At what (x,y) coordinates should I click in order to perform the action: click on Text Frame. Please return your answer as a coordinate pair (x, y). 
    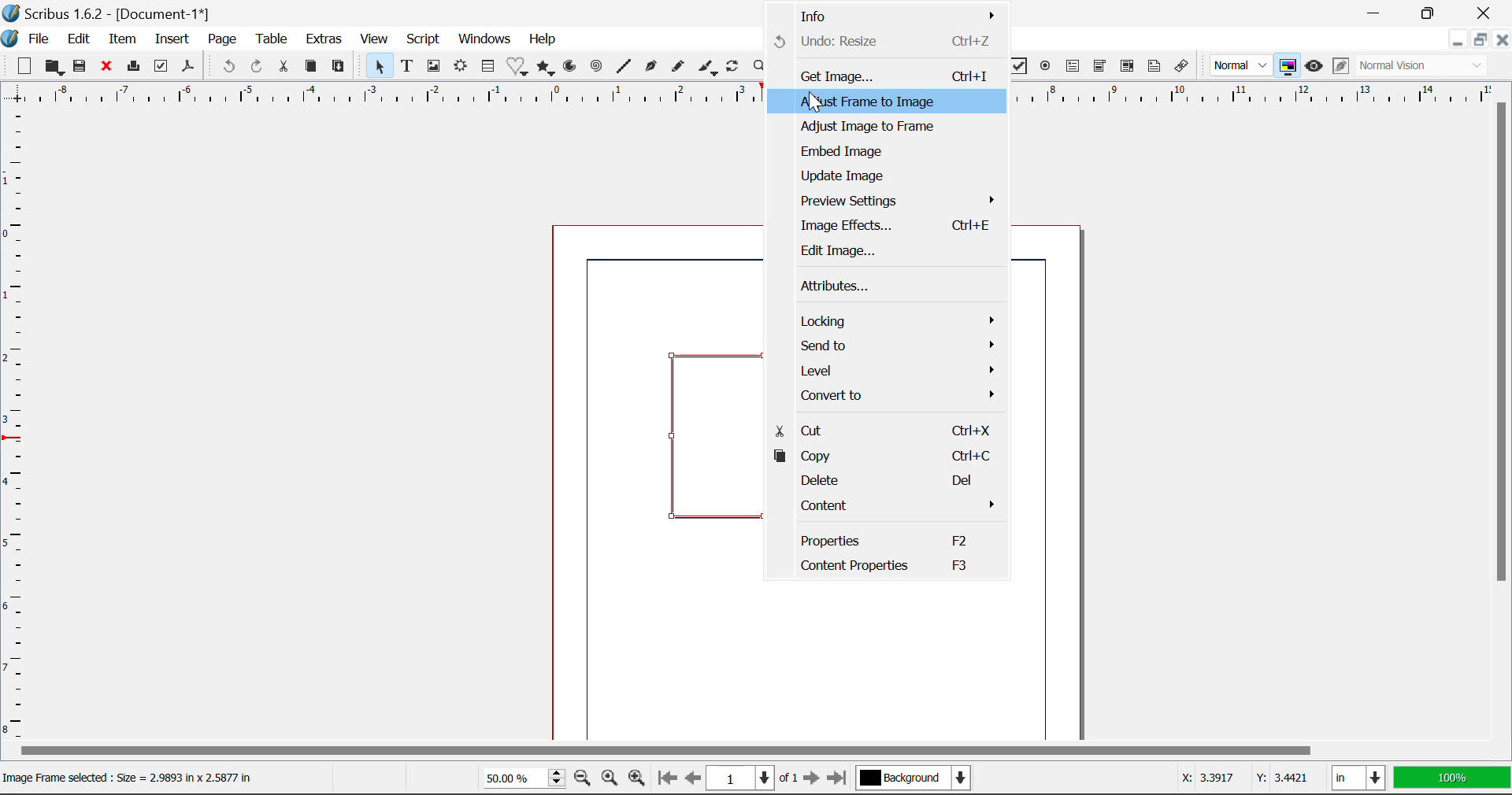
    Looking at the image, I should click on (407, 66).